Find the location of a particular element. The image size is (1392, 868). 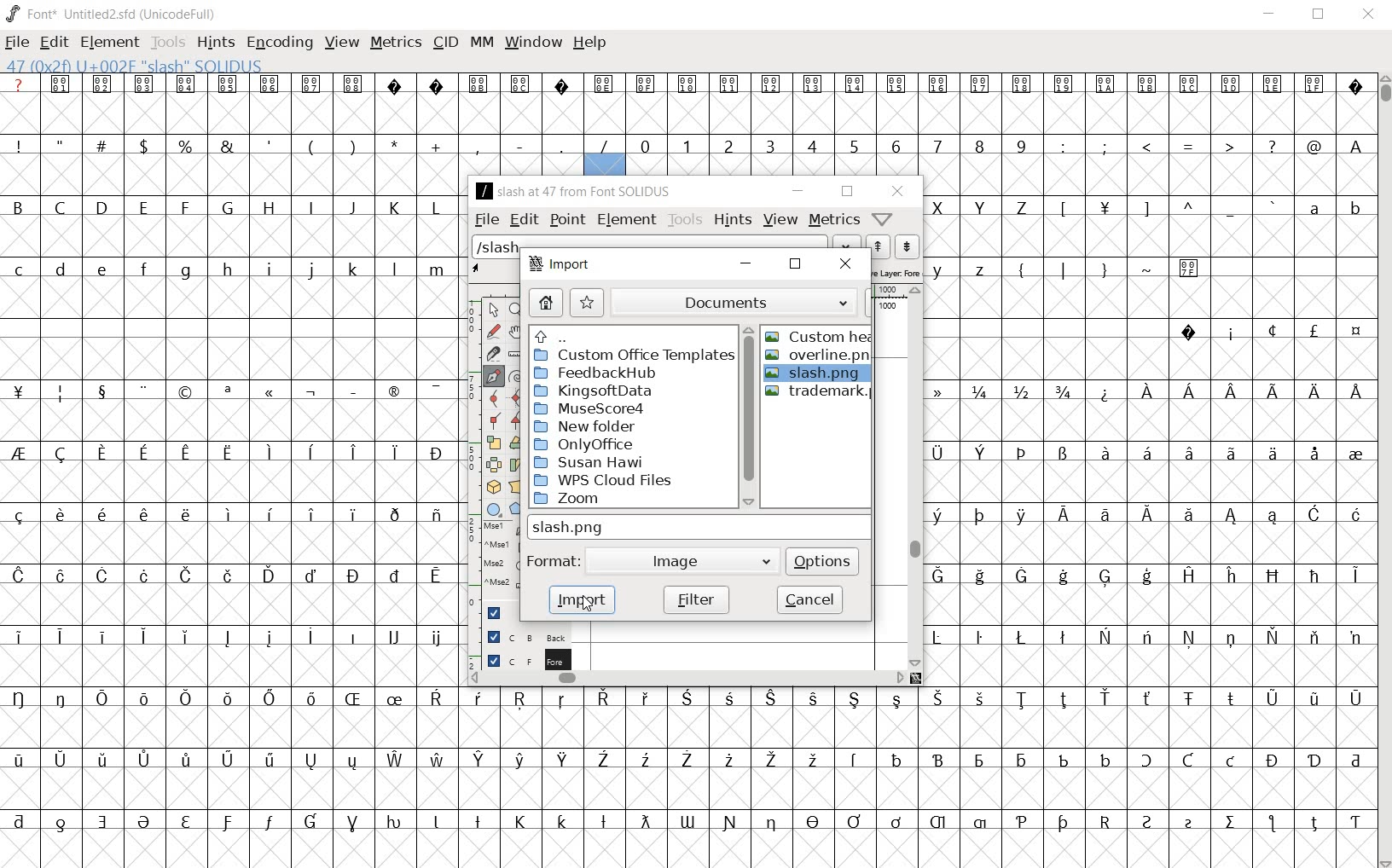

restore is located at coordinates (796, 265).